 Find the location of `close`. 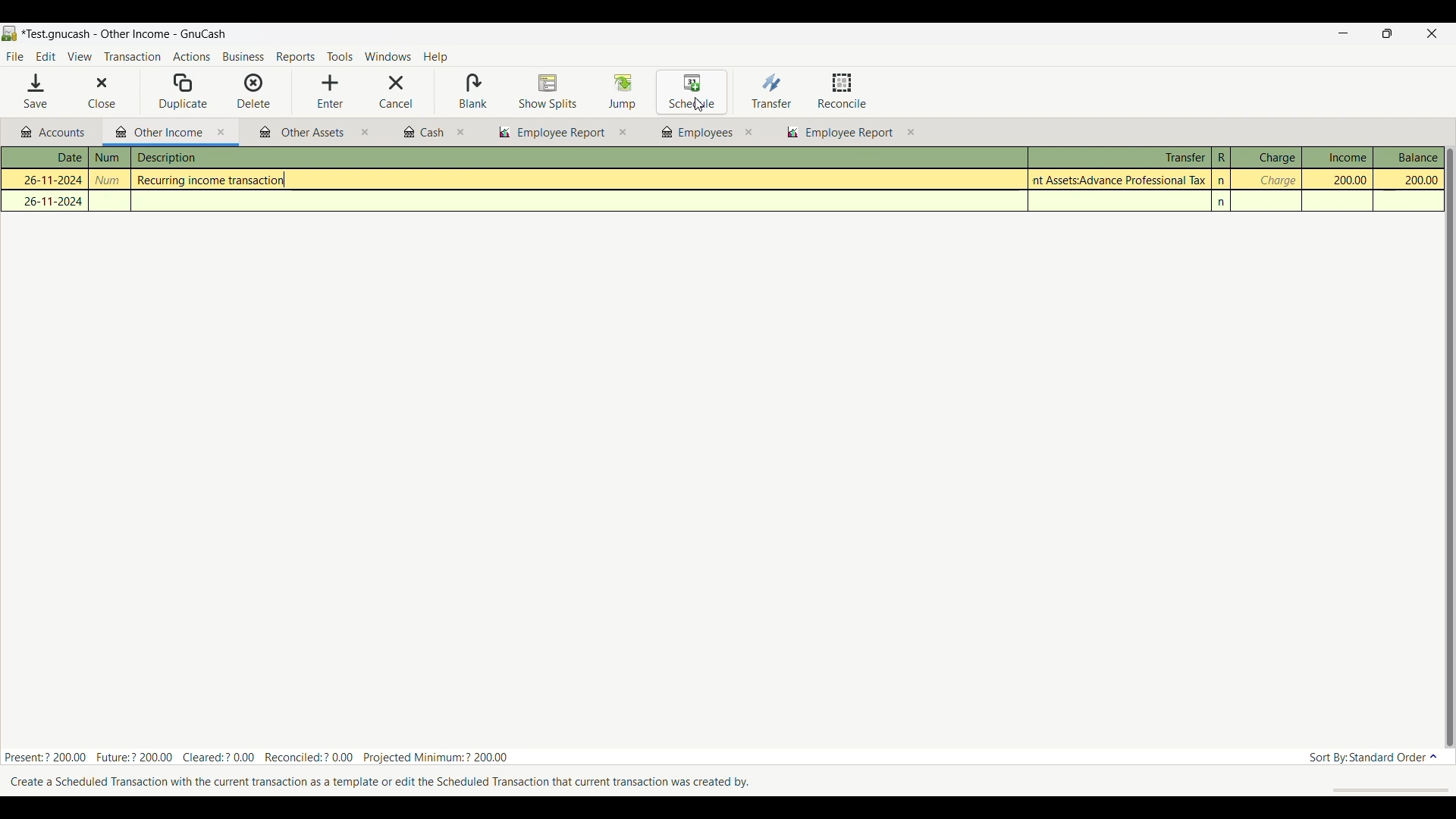

close is located at coordinates (462, 133).